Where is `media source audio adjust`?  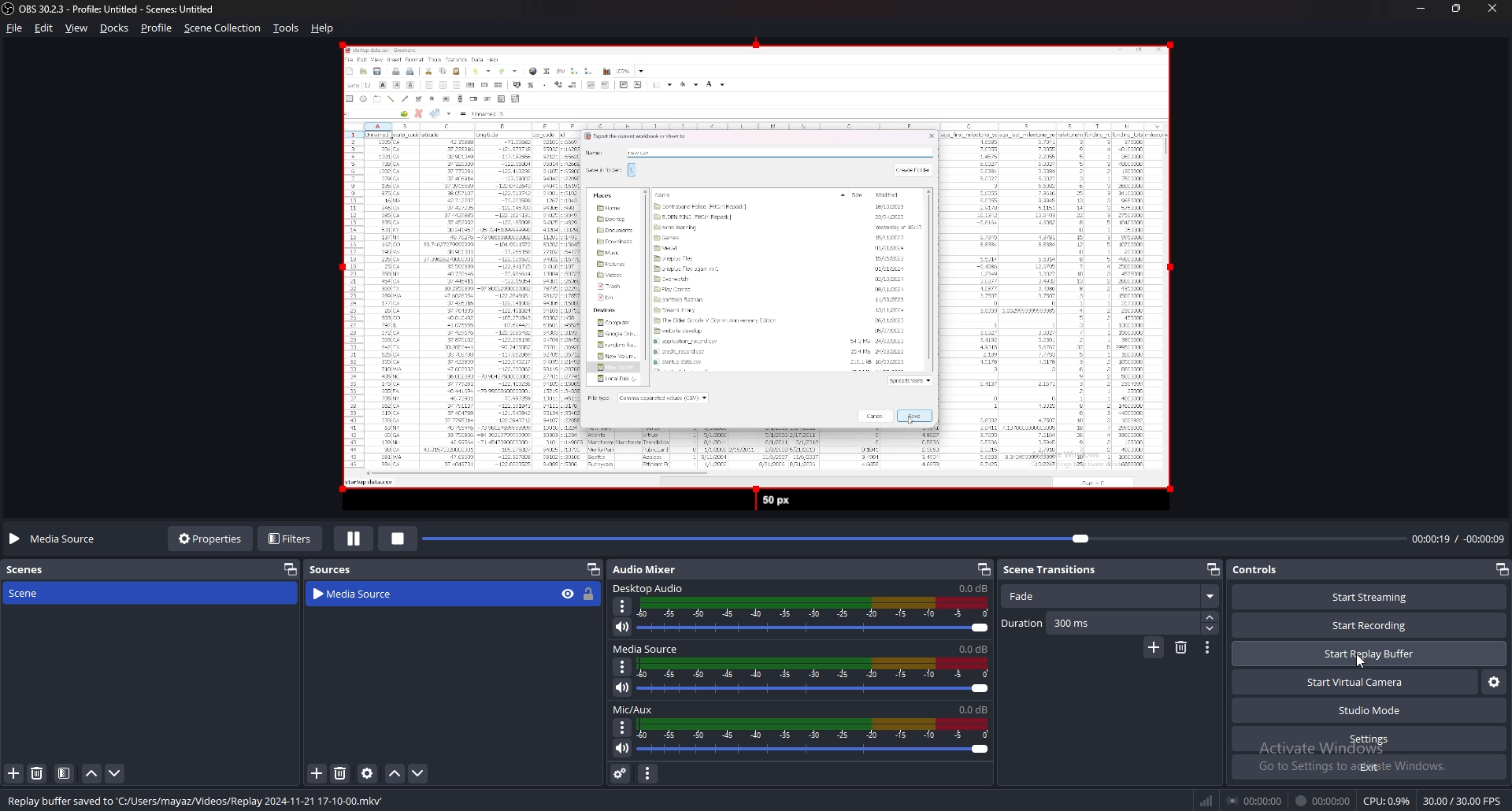 media source audio adjust is located at coordinates (816, 676).